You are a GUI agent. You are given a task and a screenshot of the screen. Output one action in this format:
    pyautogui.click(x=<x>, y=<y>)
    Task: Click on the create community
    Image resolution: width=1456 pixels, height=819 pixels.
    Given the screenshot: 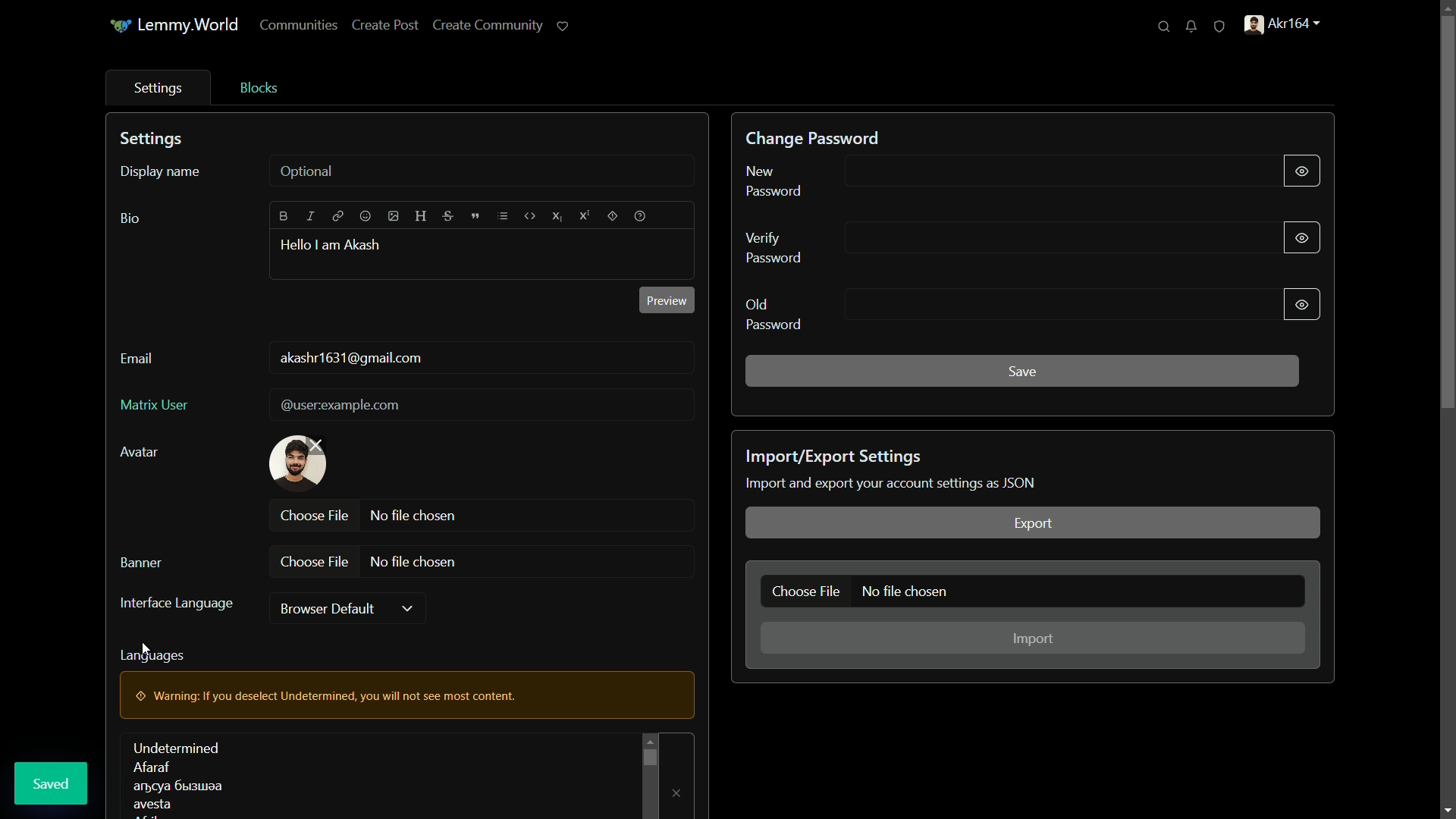 What is the action you would take?
    pyautogui.click(x=489, y=25)
    